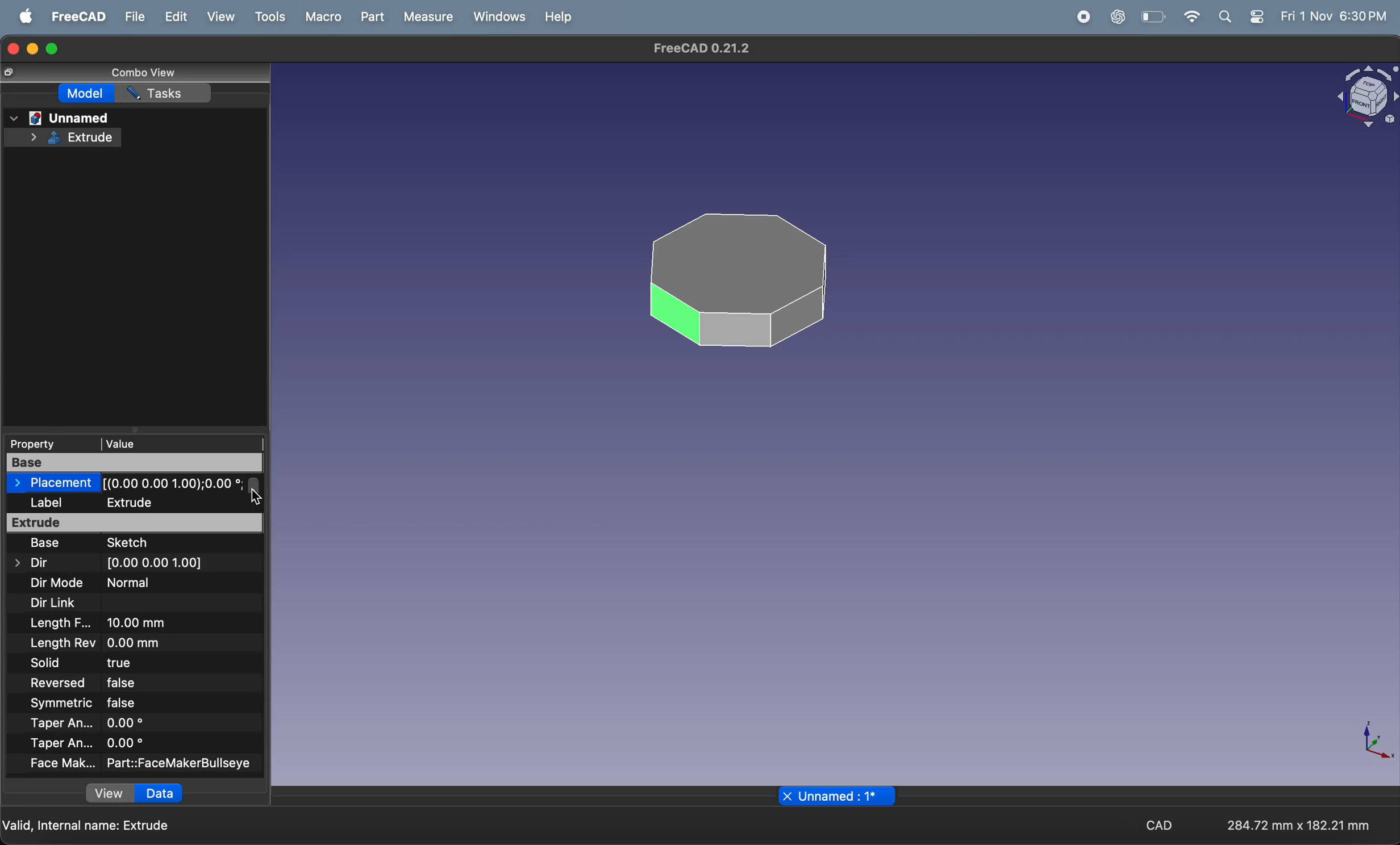 Image resolution: width=1400 pixels, height=845 pixels. I want to click on base, so click(137, 462).